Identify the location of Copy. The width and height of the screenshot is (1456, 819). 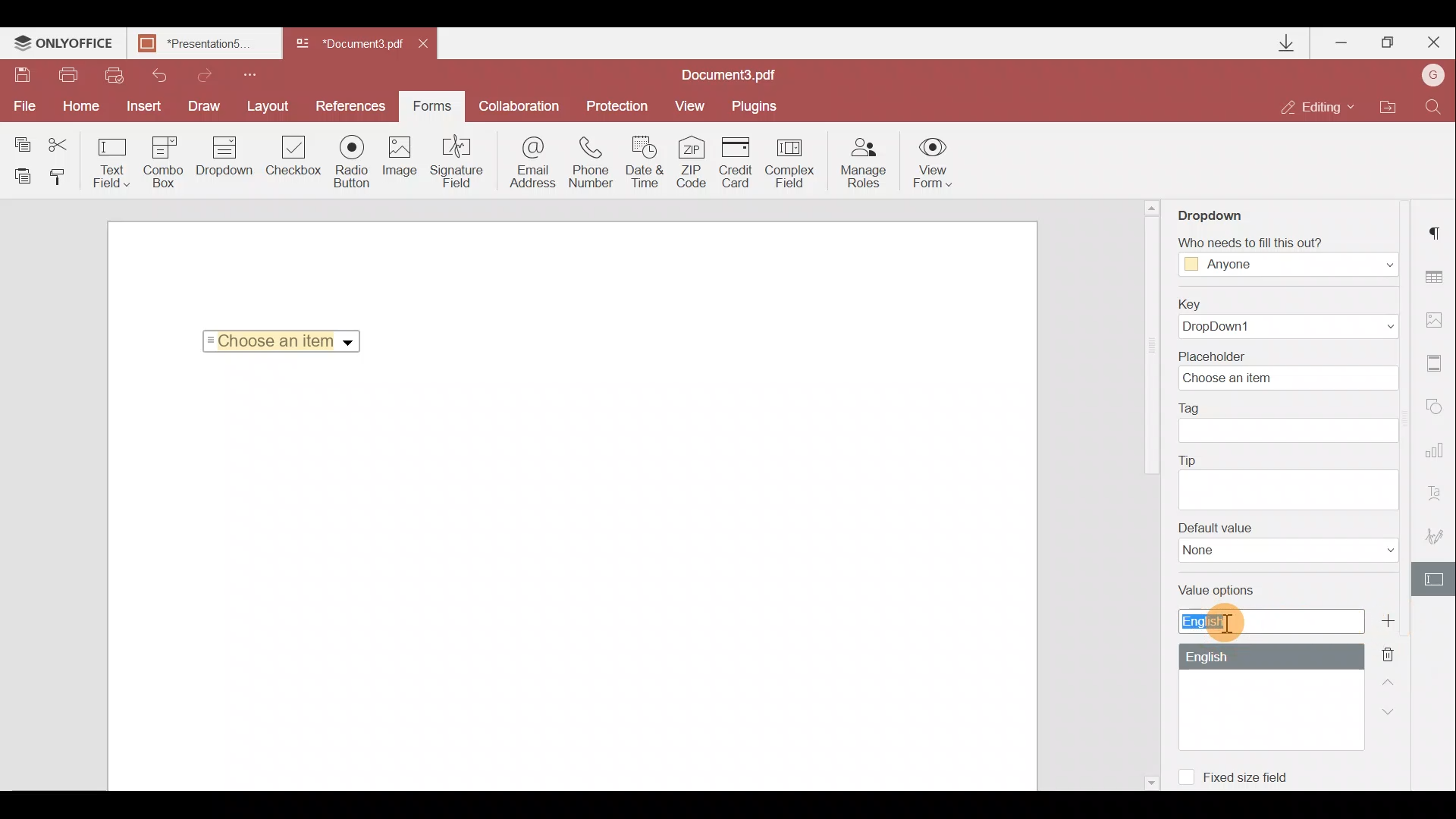
(21, 141).